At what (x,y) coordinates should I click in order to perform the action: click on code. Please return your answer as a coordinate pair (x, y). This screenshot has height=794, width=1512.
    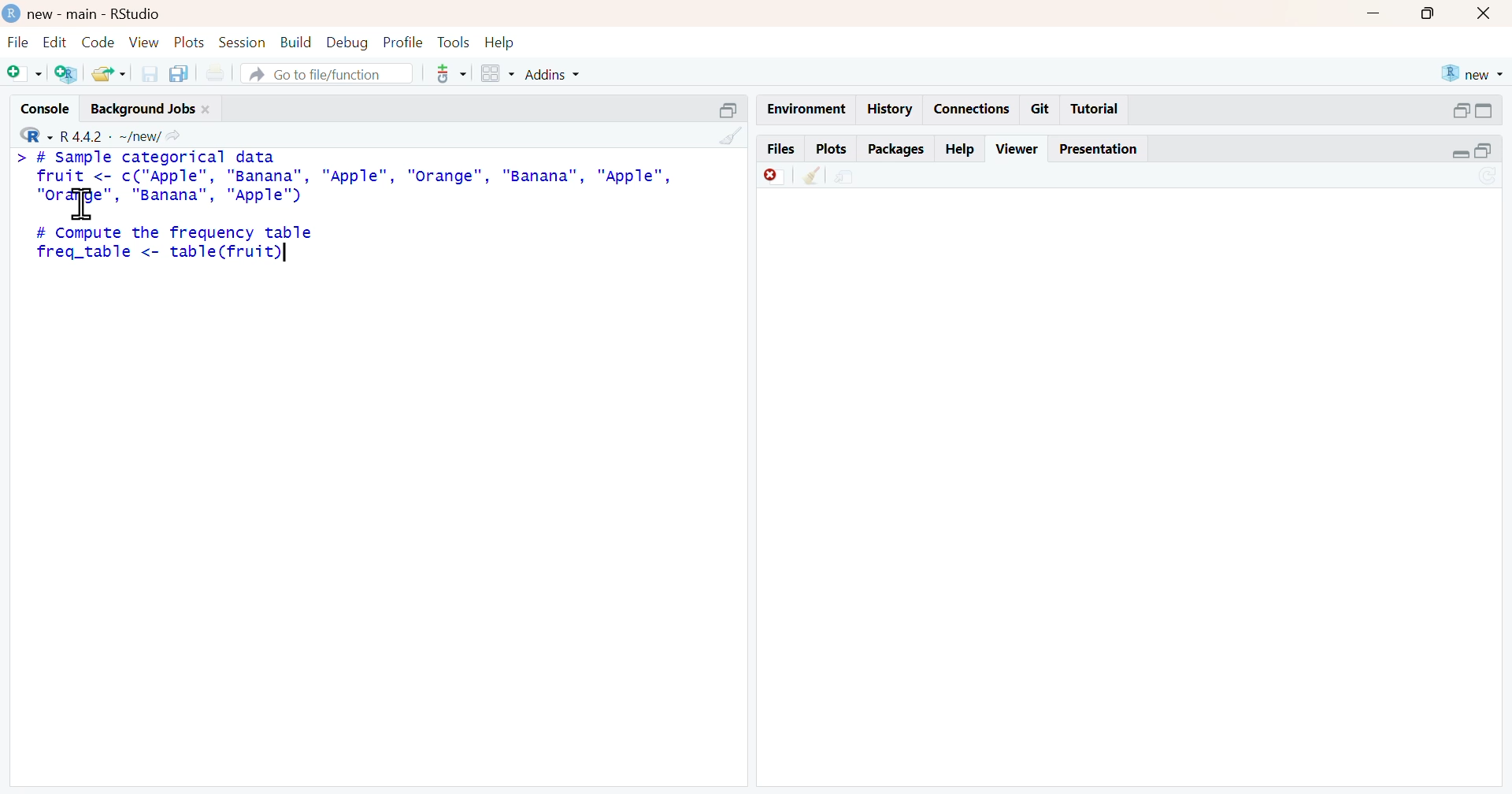
    Looking at the image, I should click on (102, 43).